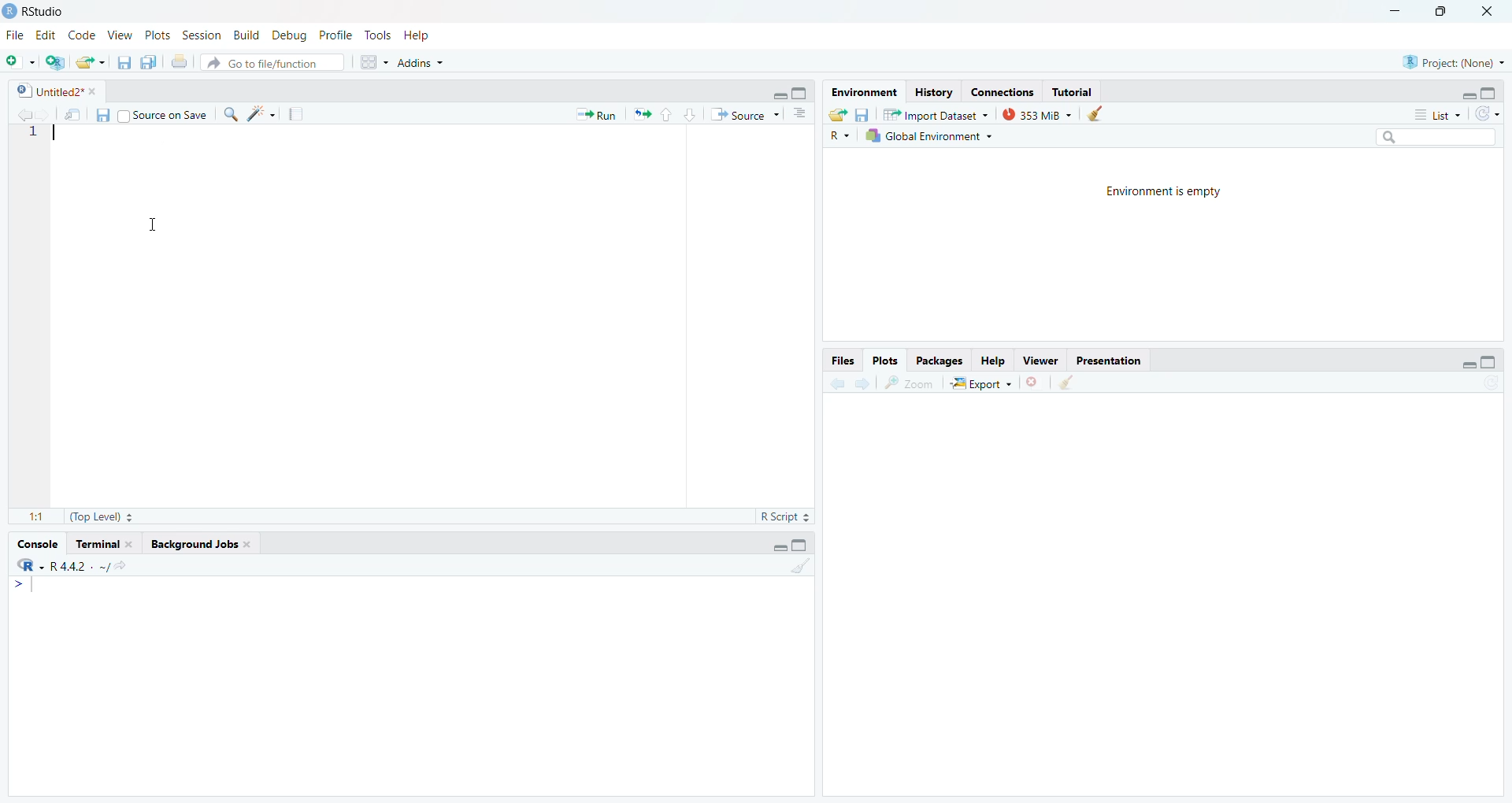 Image resolution: width=1512 pixels, height=803 pixels. What do you see at coordinates (774, 94) in the screenshot?
I see `close r script` at bounding box center [774, 94].